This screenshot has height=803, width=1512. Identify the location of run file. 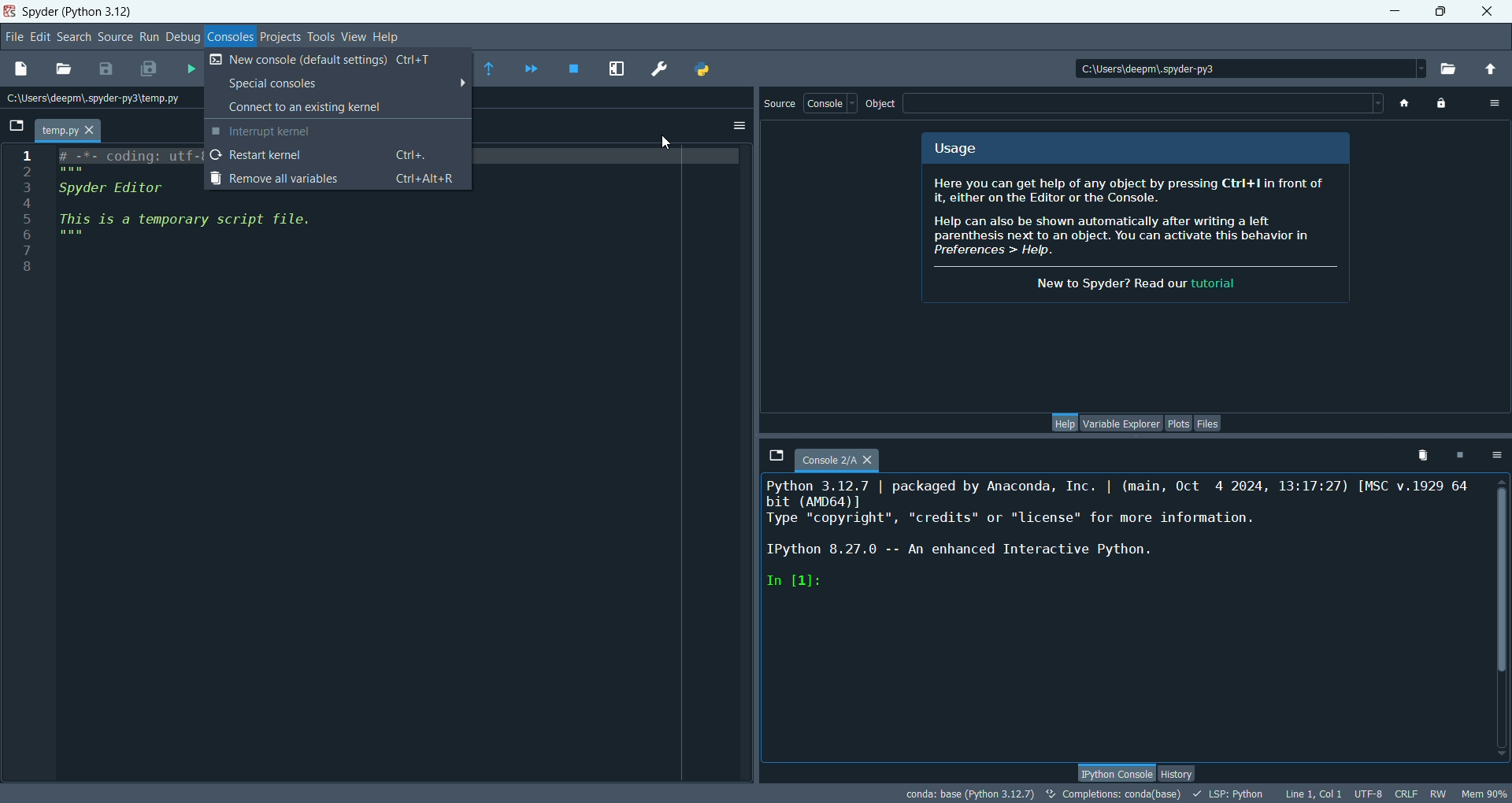
(191, 68).